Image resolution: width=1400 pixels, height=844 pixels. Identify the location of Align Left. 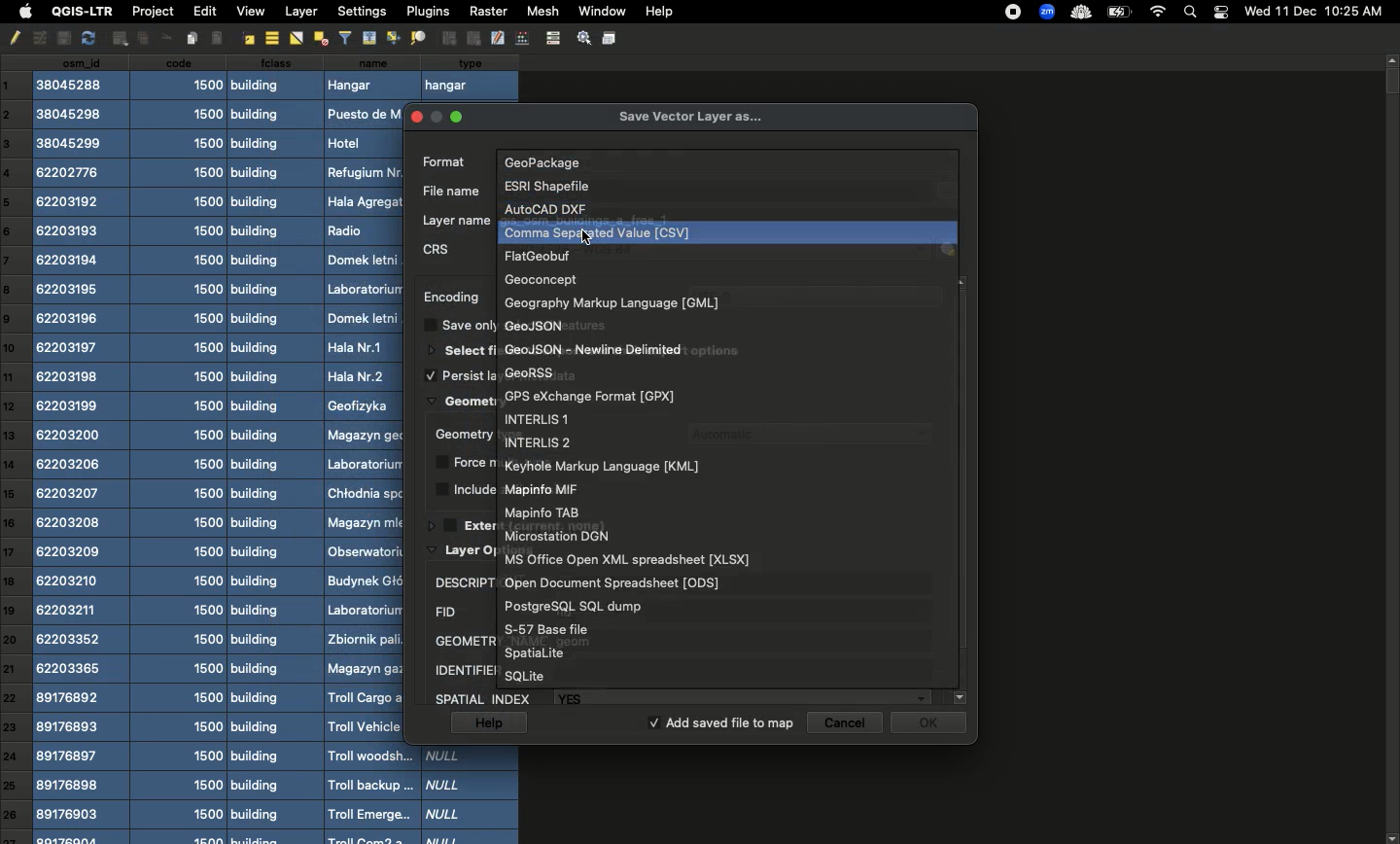
(220, 37).